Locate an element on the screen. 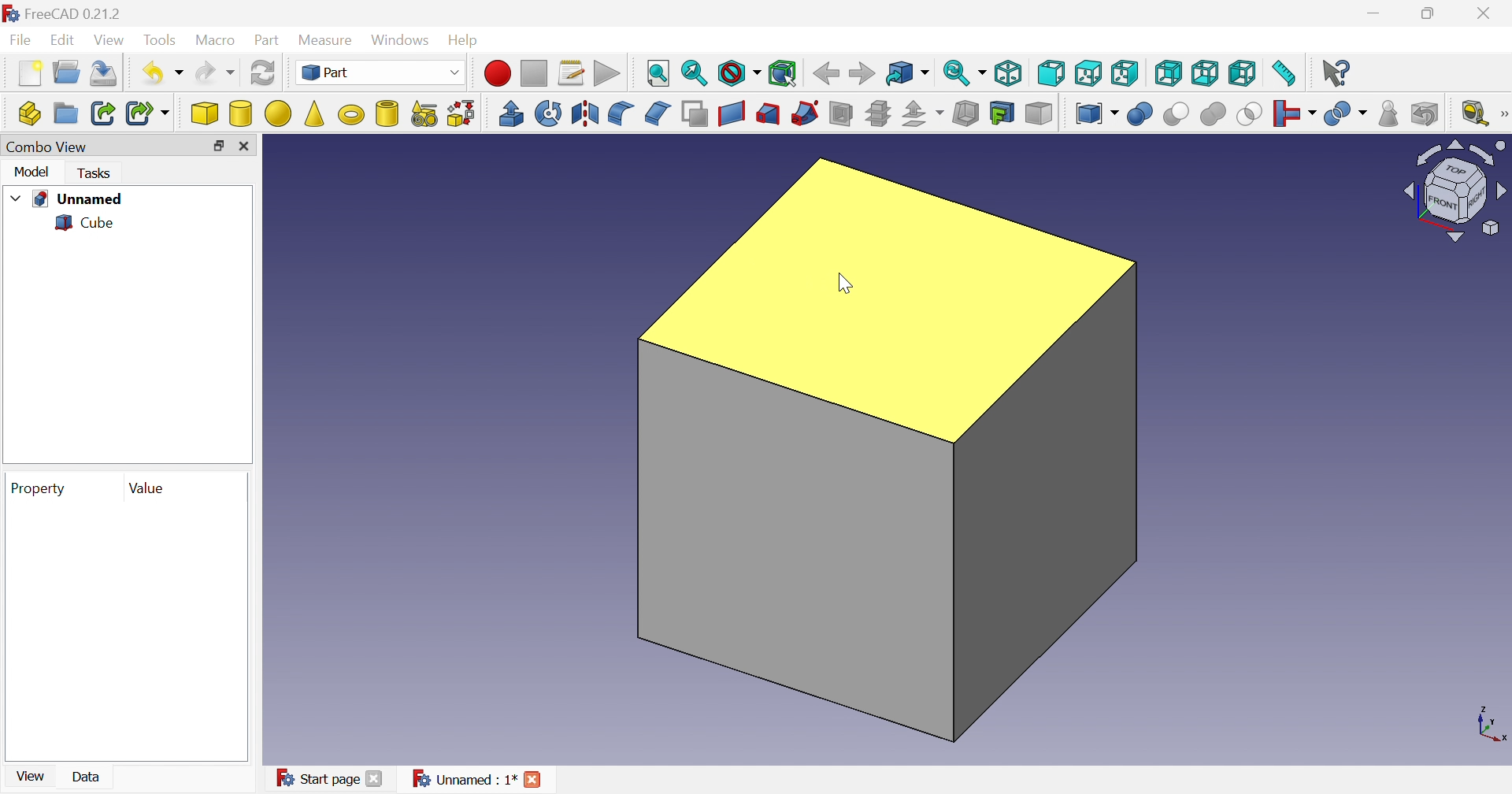  x, y plane is located at coordinates (1492, 724).